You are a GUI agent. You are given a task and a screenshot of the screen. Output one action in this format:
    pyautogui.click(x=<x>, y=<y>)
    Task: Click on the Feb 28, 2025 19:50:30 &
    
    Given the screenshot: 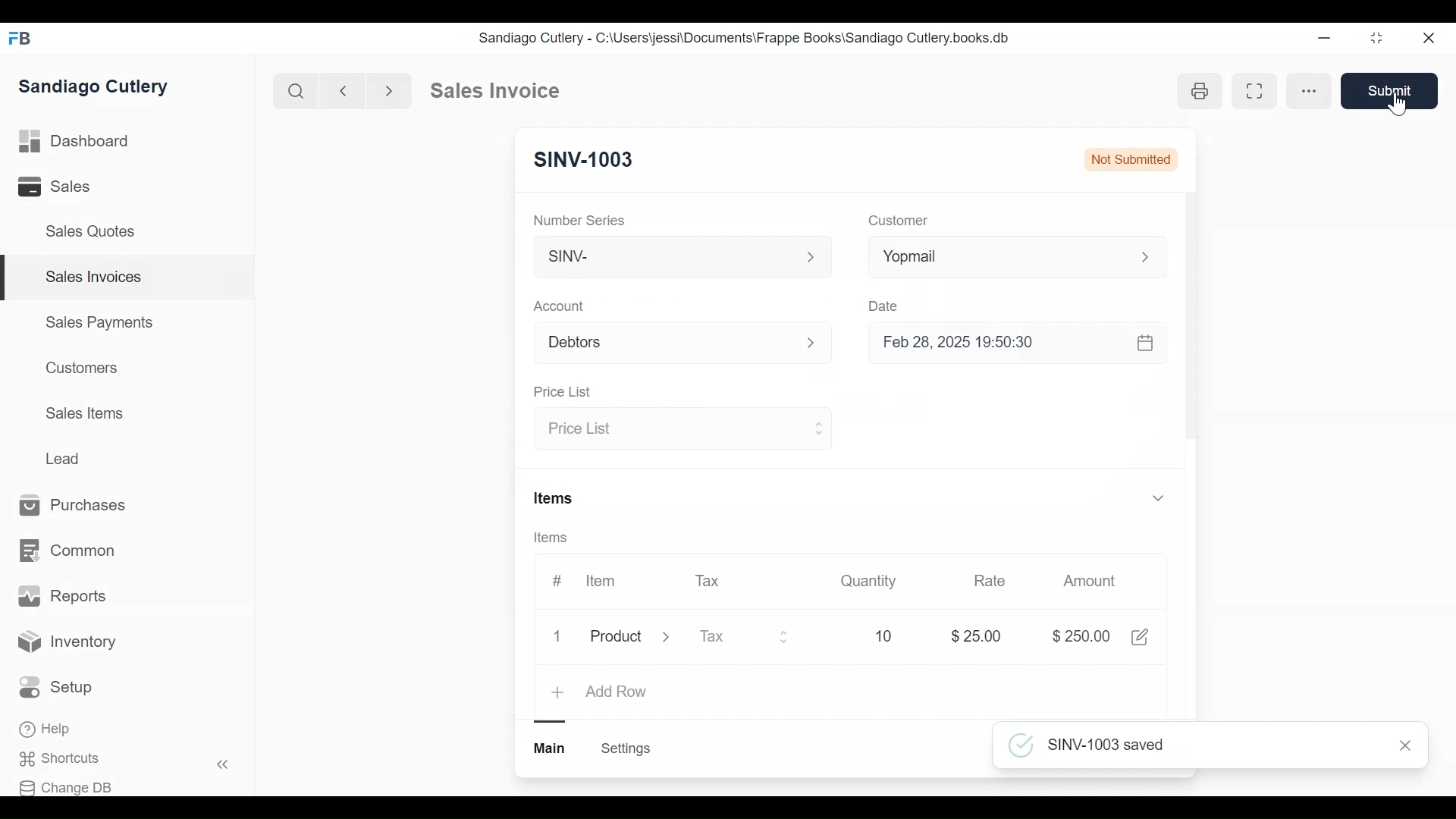 What is the action you would take?
    pyautogui.click(x=1021, y=344)
    